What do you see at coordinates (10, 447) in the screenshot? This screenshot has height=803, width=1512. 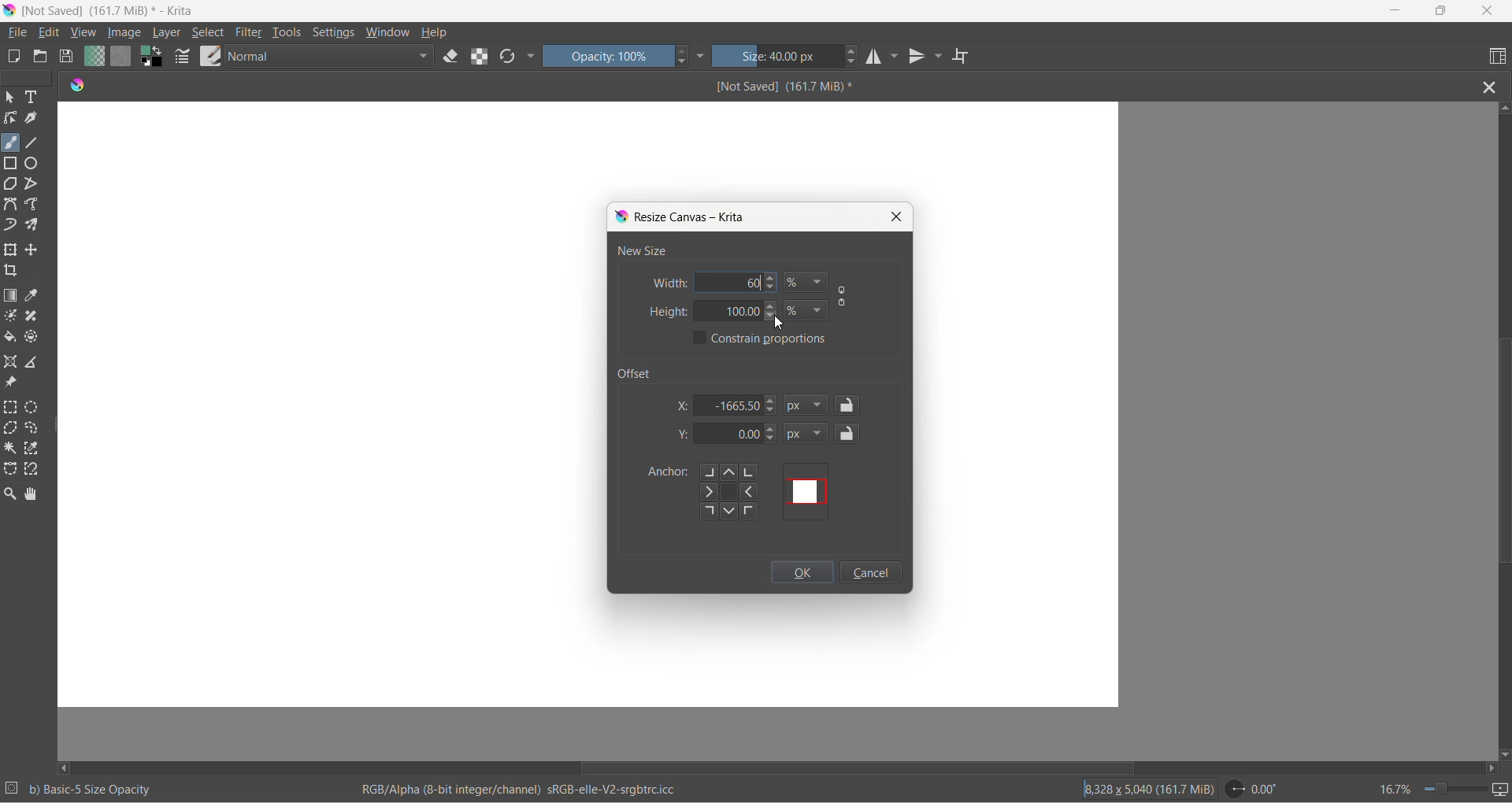 I see `contiguous selection tool` at bounding box center [10, 447].